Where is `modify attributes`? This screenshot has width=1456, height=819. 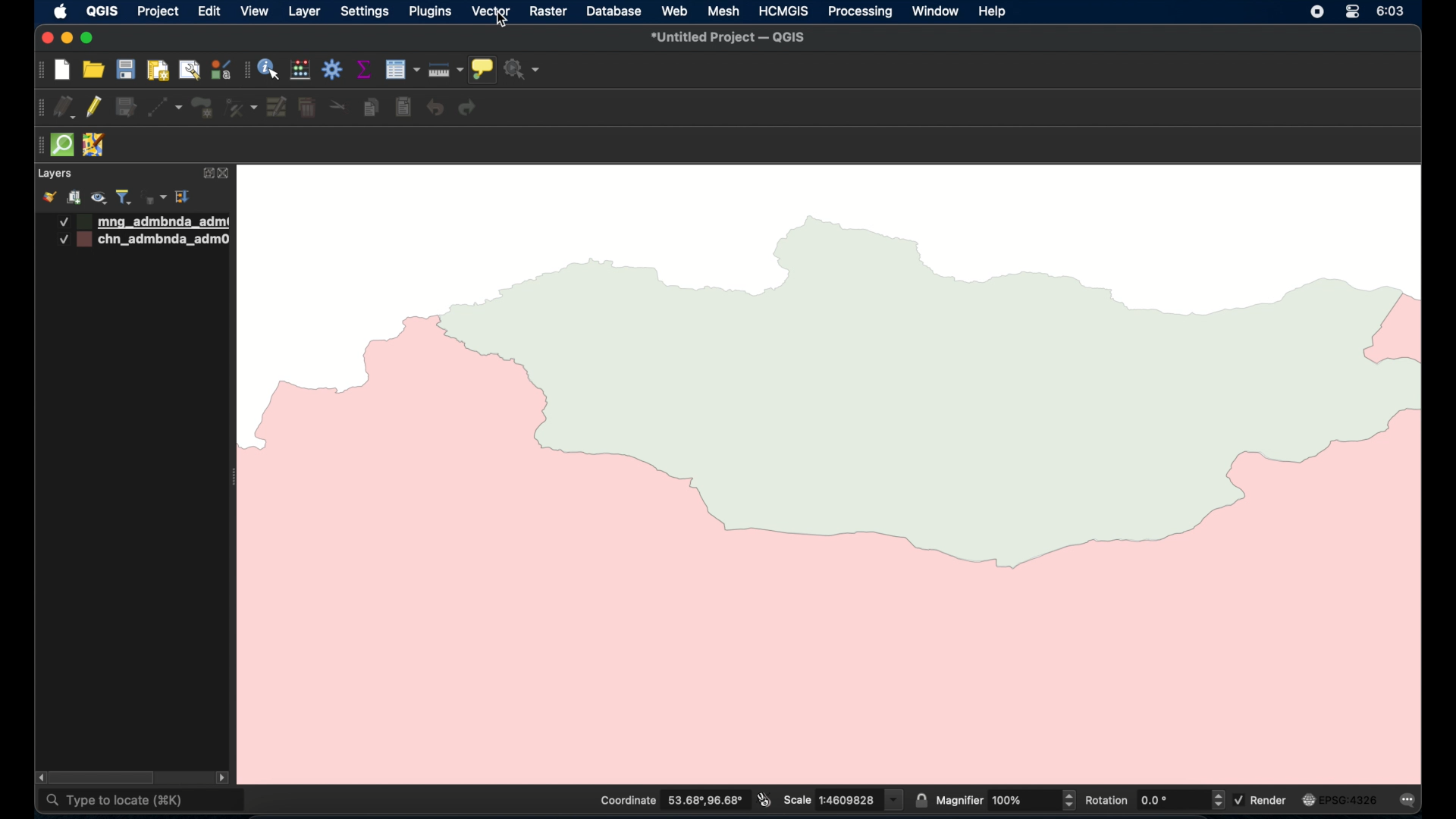
modify attributes is located at coordinates (278, 108).